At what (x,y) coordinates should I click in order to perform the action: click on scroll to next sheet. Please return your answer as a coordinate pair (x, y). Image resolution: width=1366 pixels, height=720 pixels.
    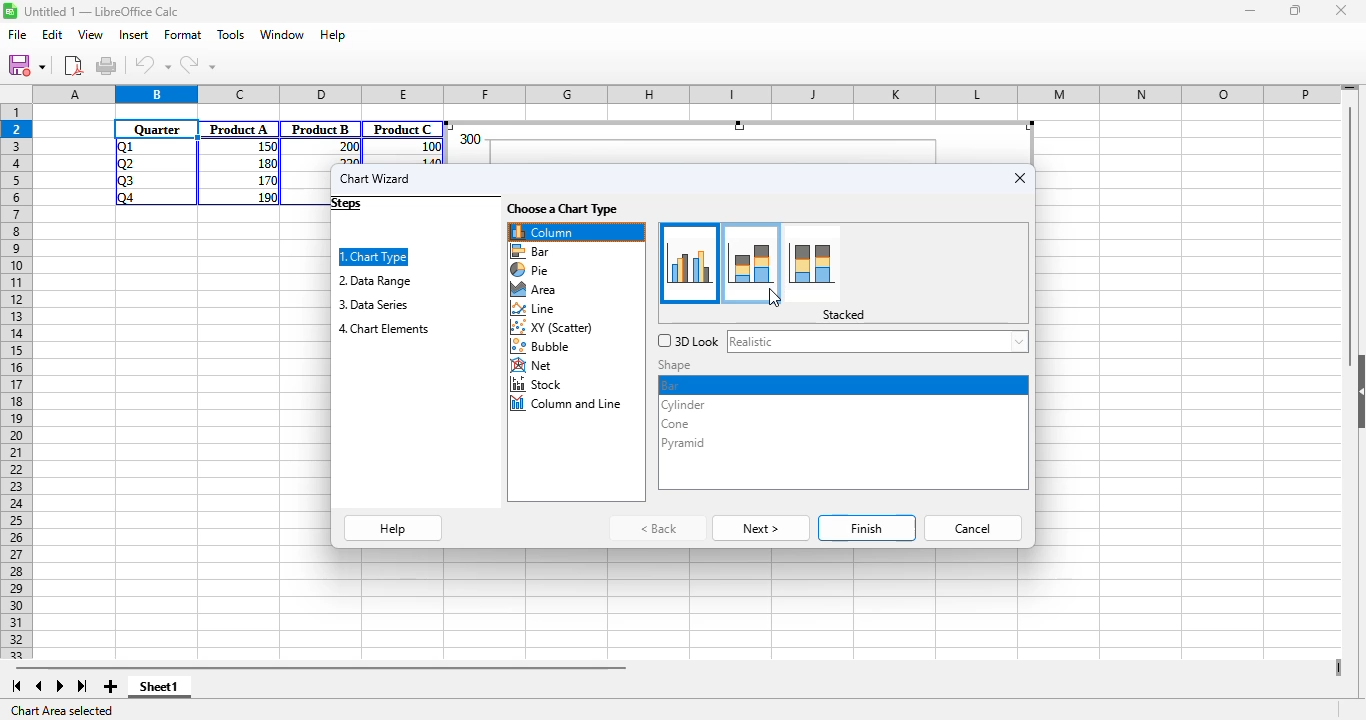
    Looking at the image, I should click on (60, 686).